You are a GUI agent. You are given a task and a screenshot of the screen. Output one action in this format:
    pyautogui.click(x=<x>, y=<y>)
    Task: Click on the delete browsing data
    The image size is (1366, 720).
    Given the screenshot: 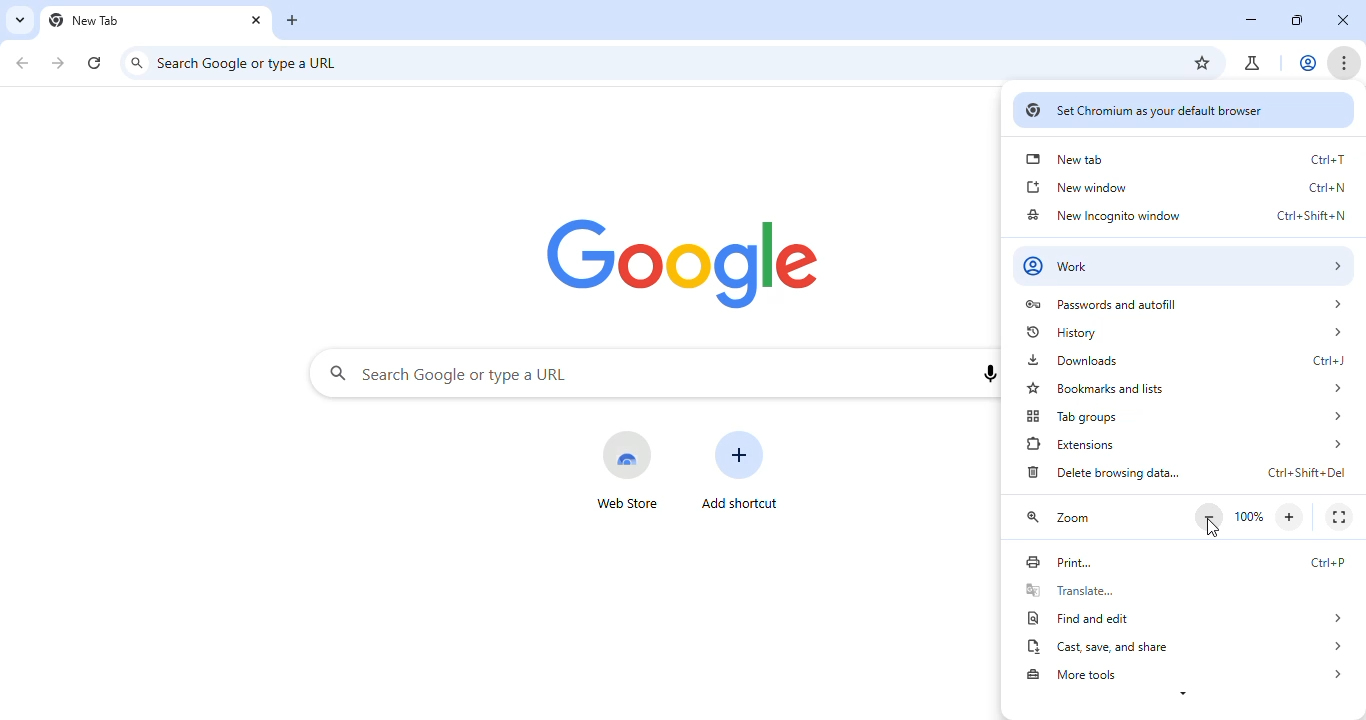 What is the action you would take?
    pyautogui.click(x=1185, y=473)
    